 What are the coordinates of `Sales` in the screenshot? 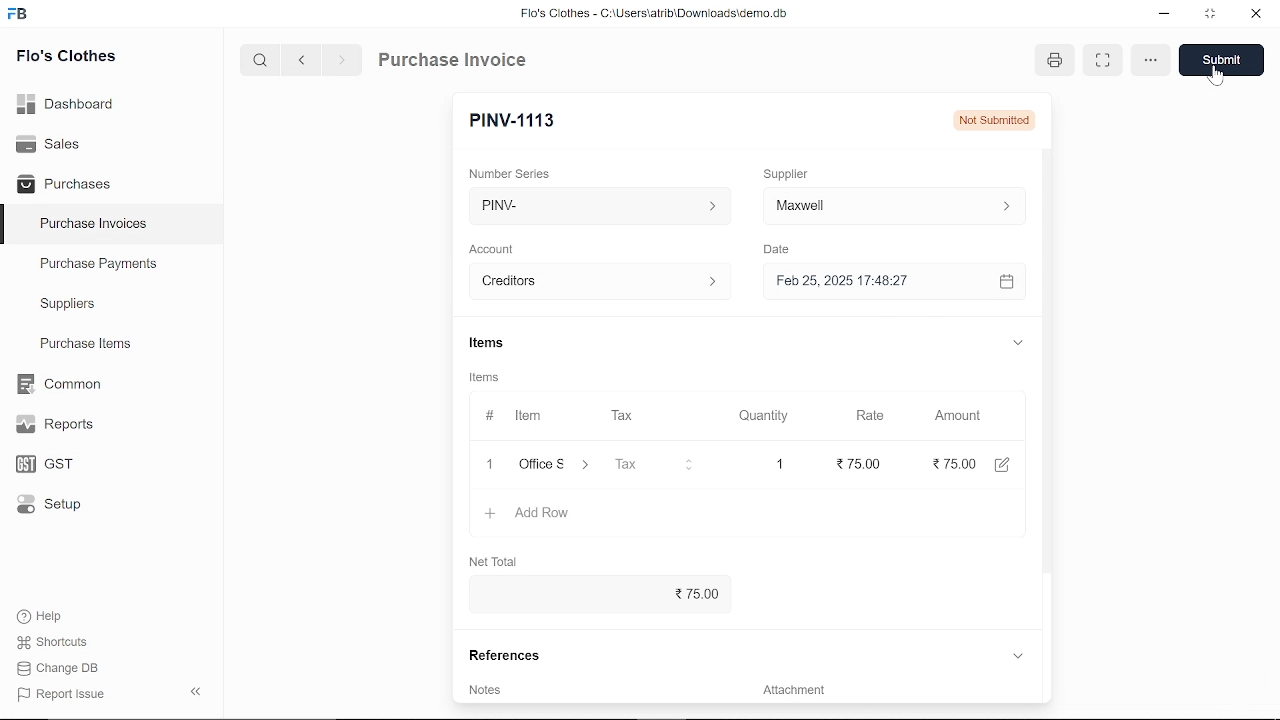 It's located at (48, 142).